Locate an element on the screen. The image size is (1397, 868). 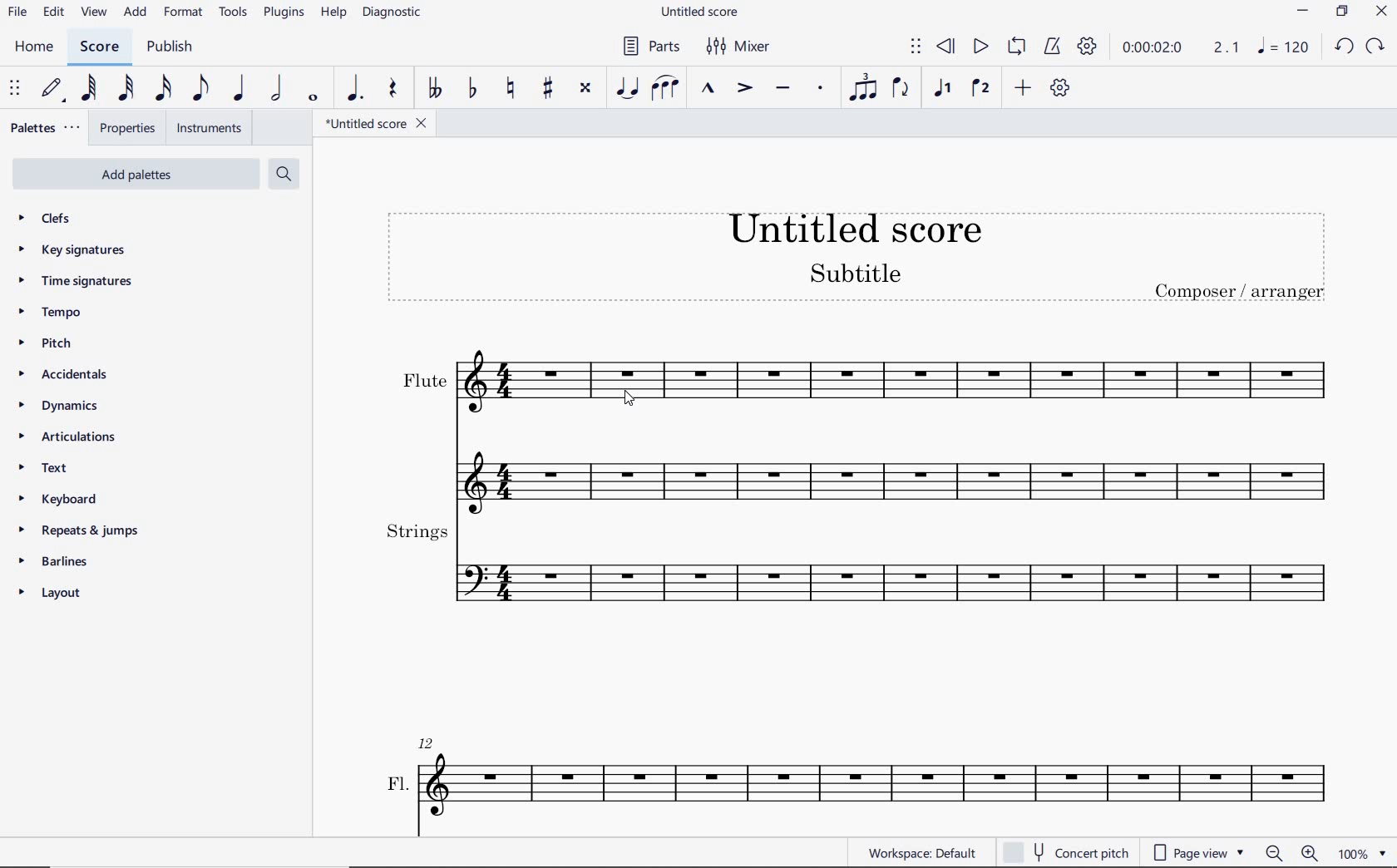
tie is located at coordinates (627, 87).